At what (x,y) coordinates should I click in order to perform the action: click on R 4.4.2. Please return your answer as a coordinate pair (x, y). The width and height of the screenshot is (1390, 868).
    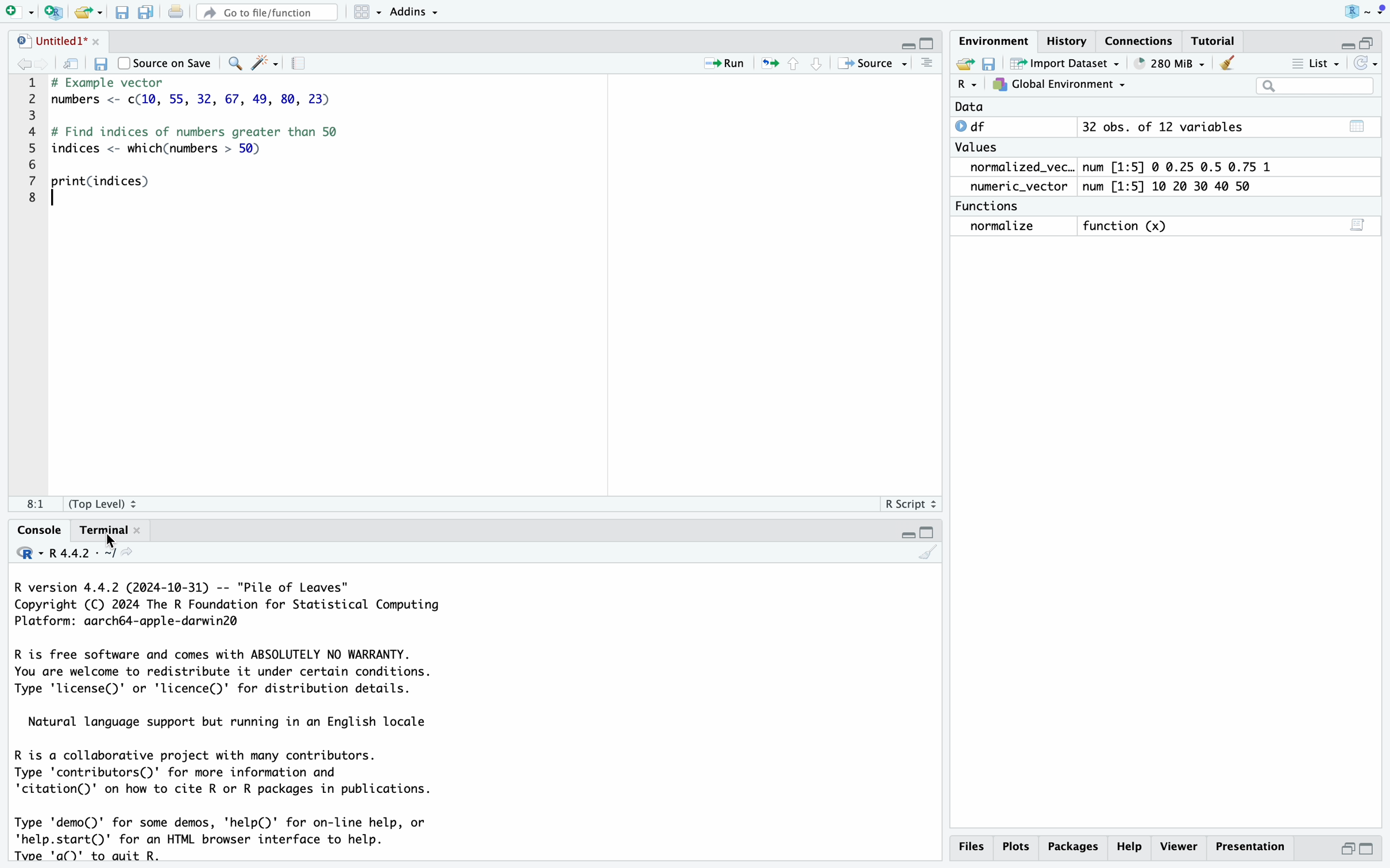
    Looking at the image, I should click on (75, 555).